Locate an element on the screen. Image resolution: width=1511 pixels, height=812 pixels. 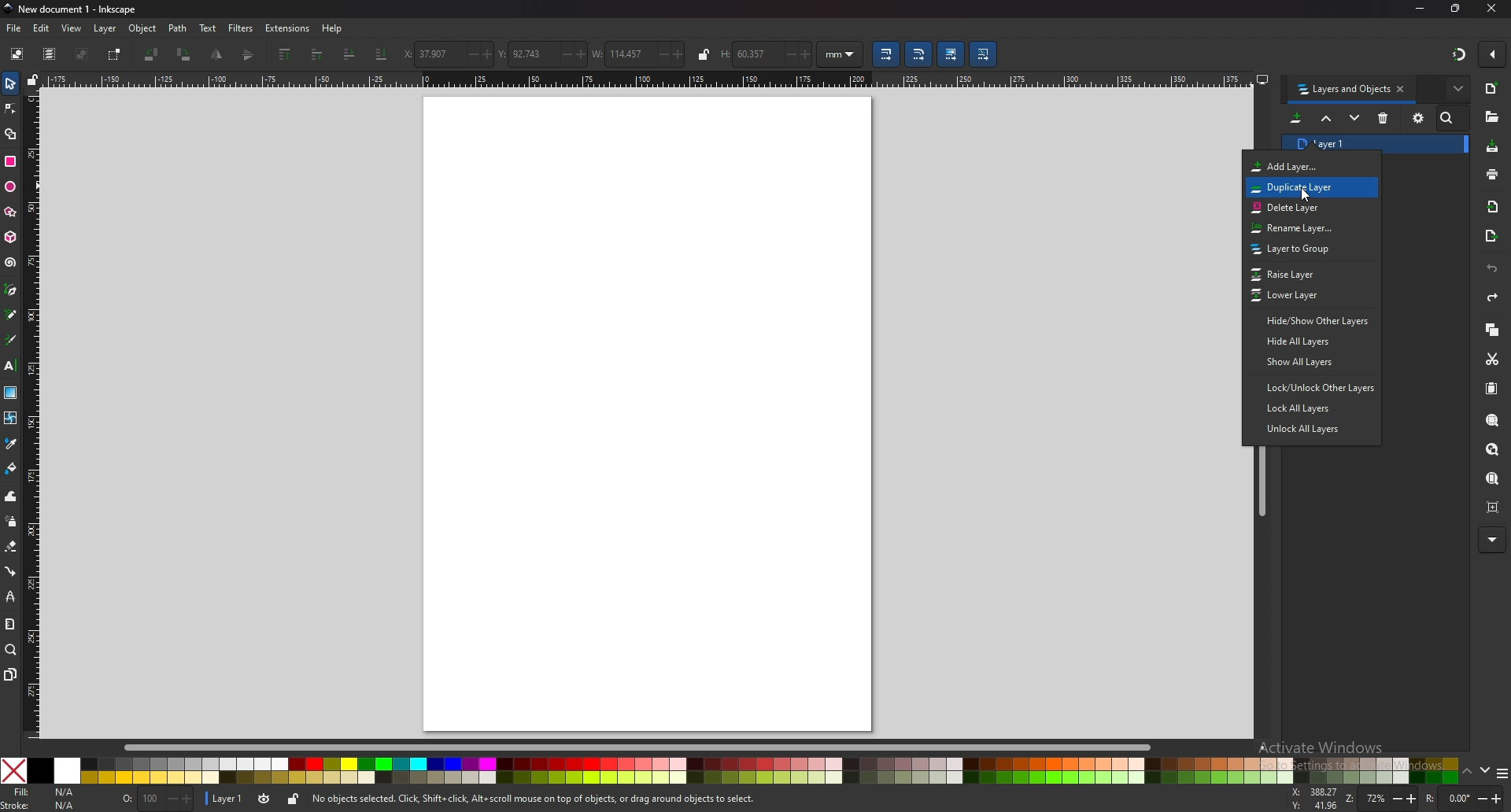
lock is located at coordinates (704, 54).